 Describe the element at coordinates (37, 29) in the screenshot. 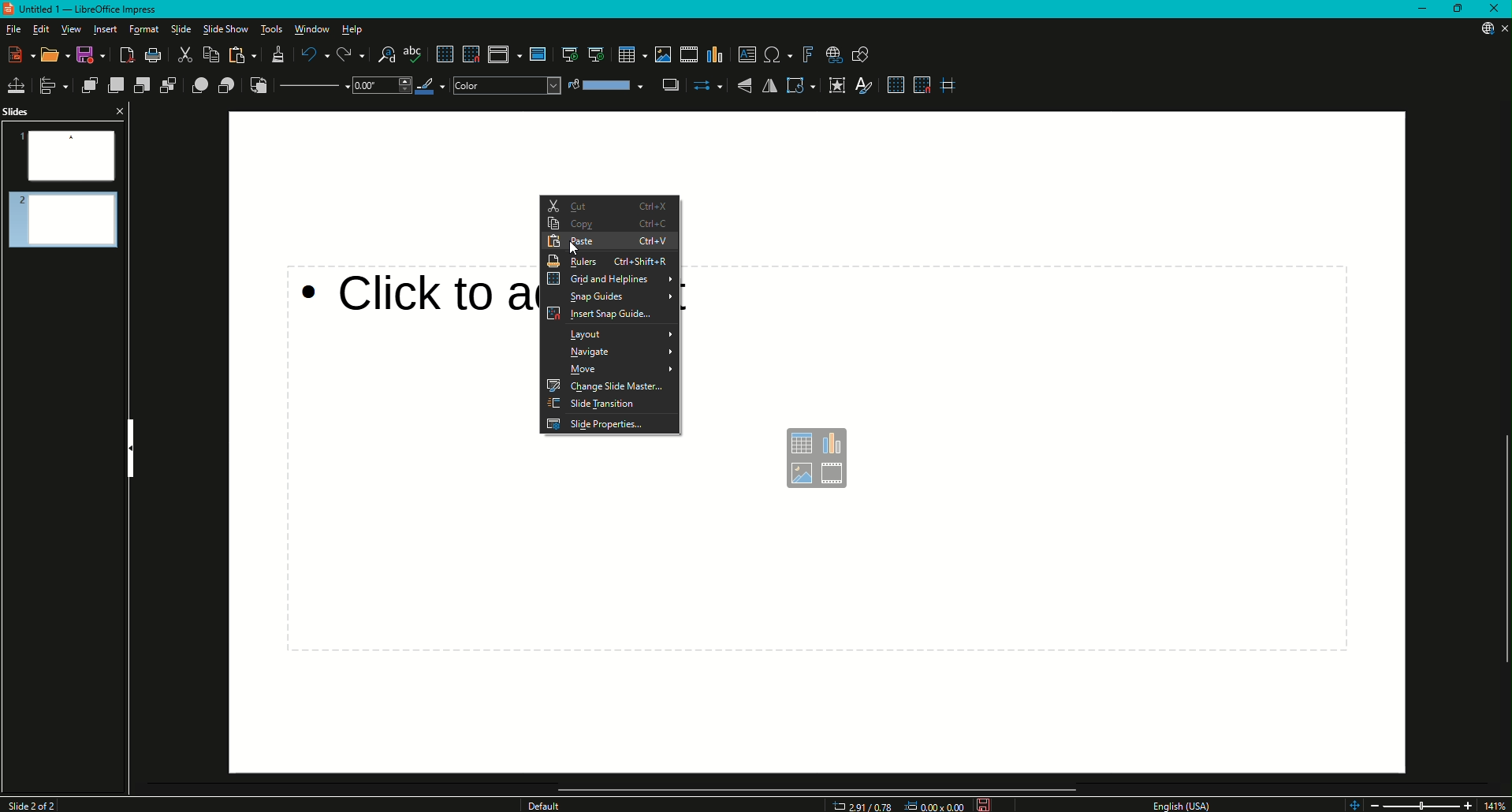

I see `Edit` at that location.